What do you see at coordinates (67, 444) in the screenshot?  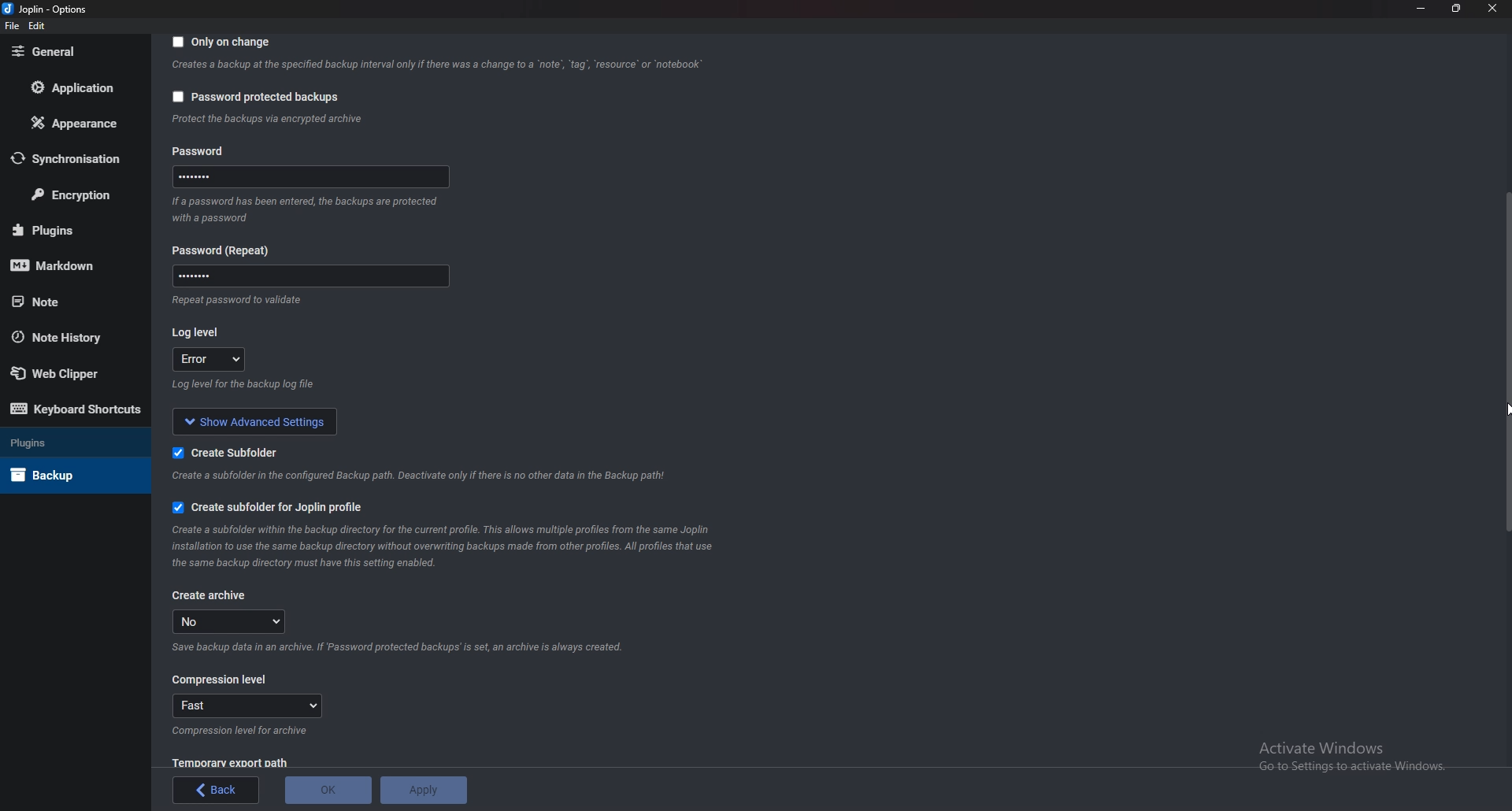 I see `Plugins` at bounding box center [67, 444].